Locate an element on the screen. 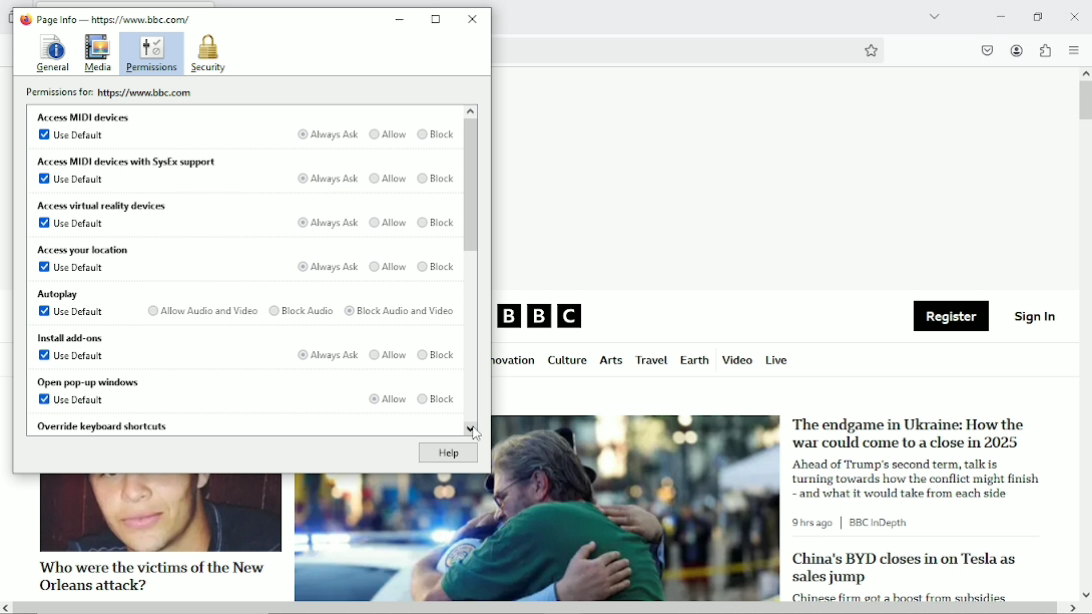 This screenshot has height=614, width=1092. Register is located at coordinates (951, 317).